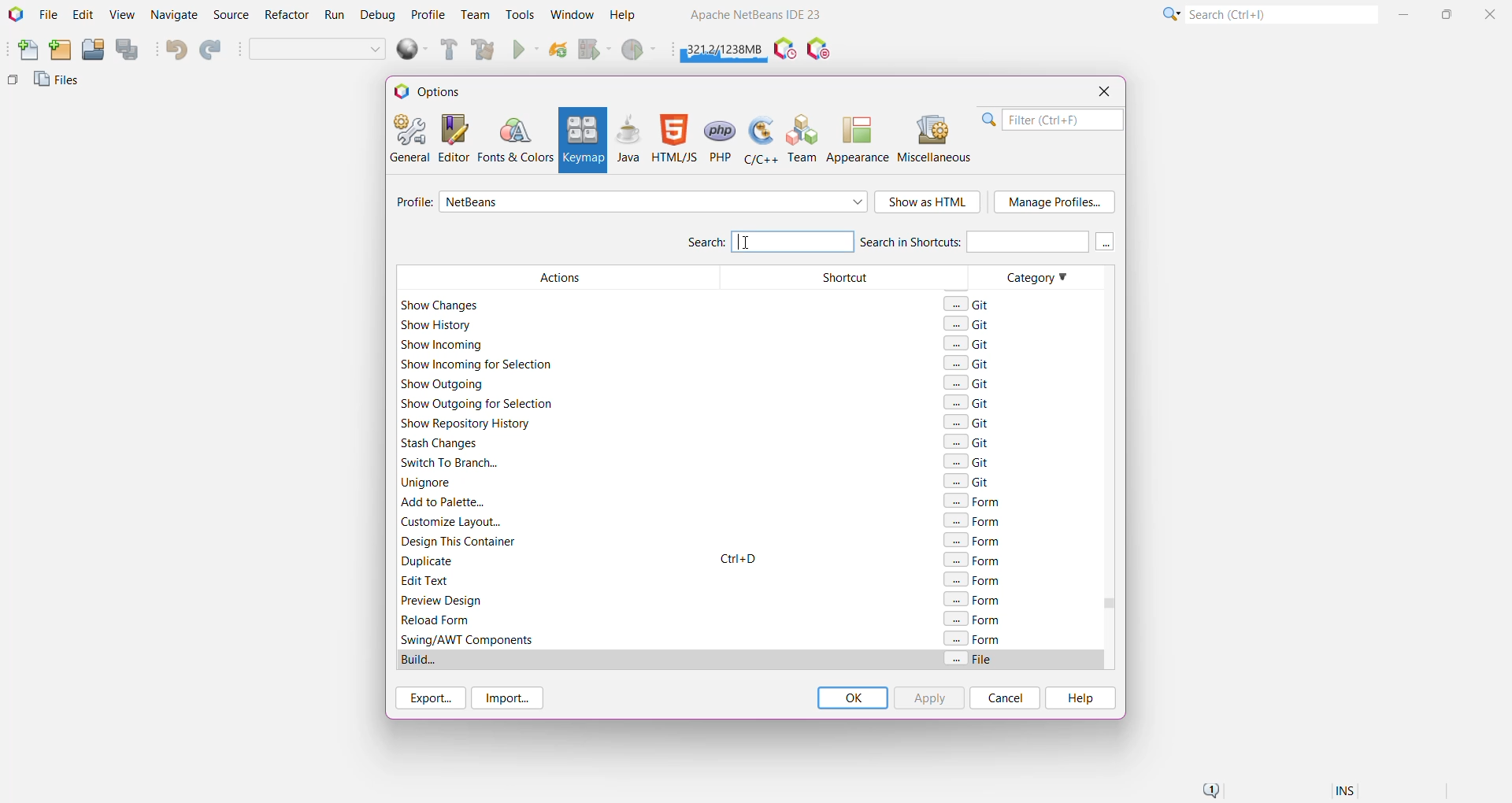 This screenshot has height=803, width=1512. I want to click on Team, so click(474, 15).